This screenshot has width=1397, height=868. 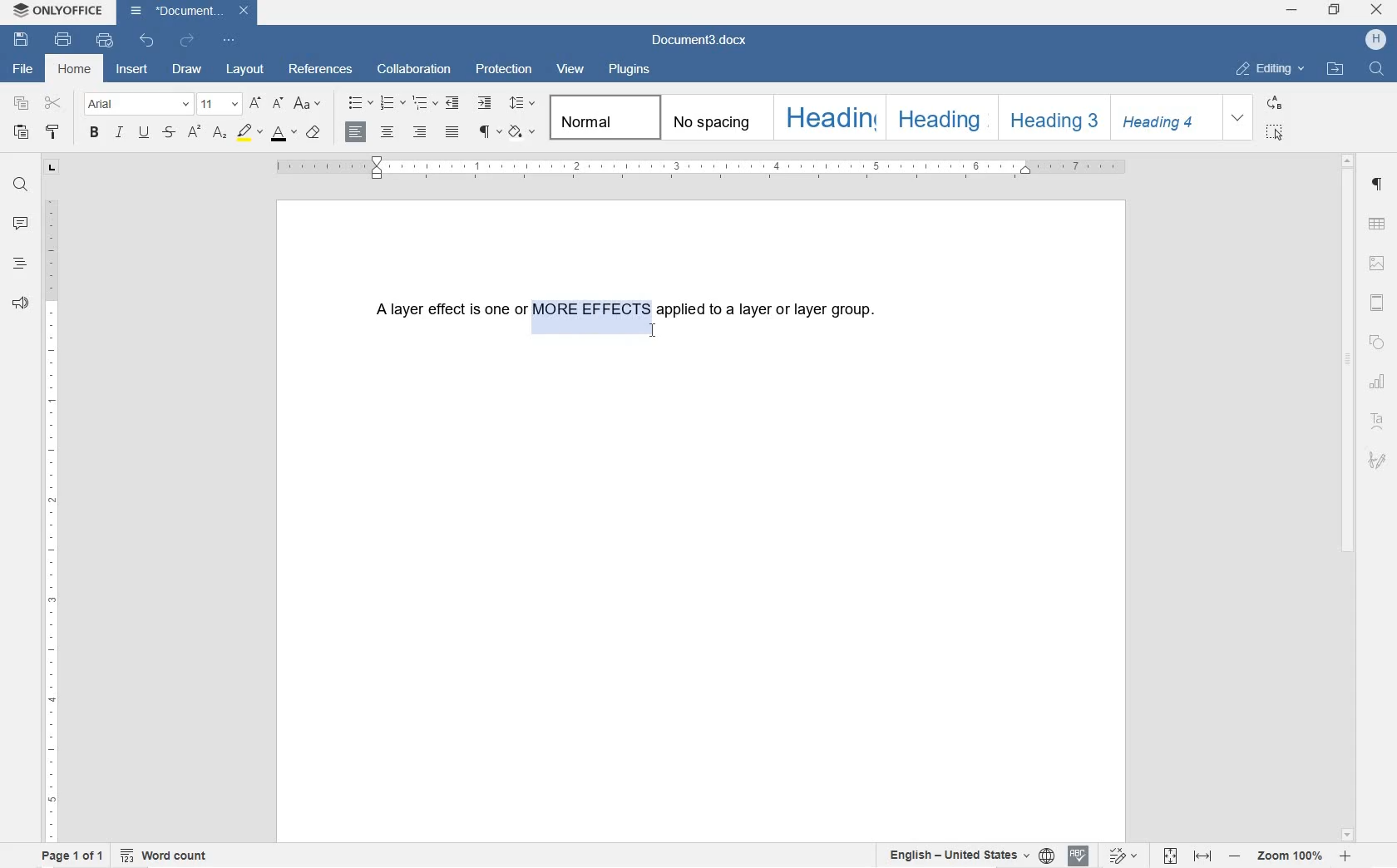 What do you see at coordinates (966, 856) in the screenshot?
I see `SET TEXT OR DOCUMENT LANGUAGE` at bounding box center [966, 856].